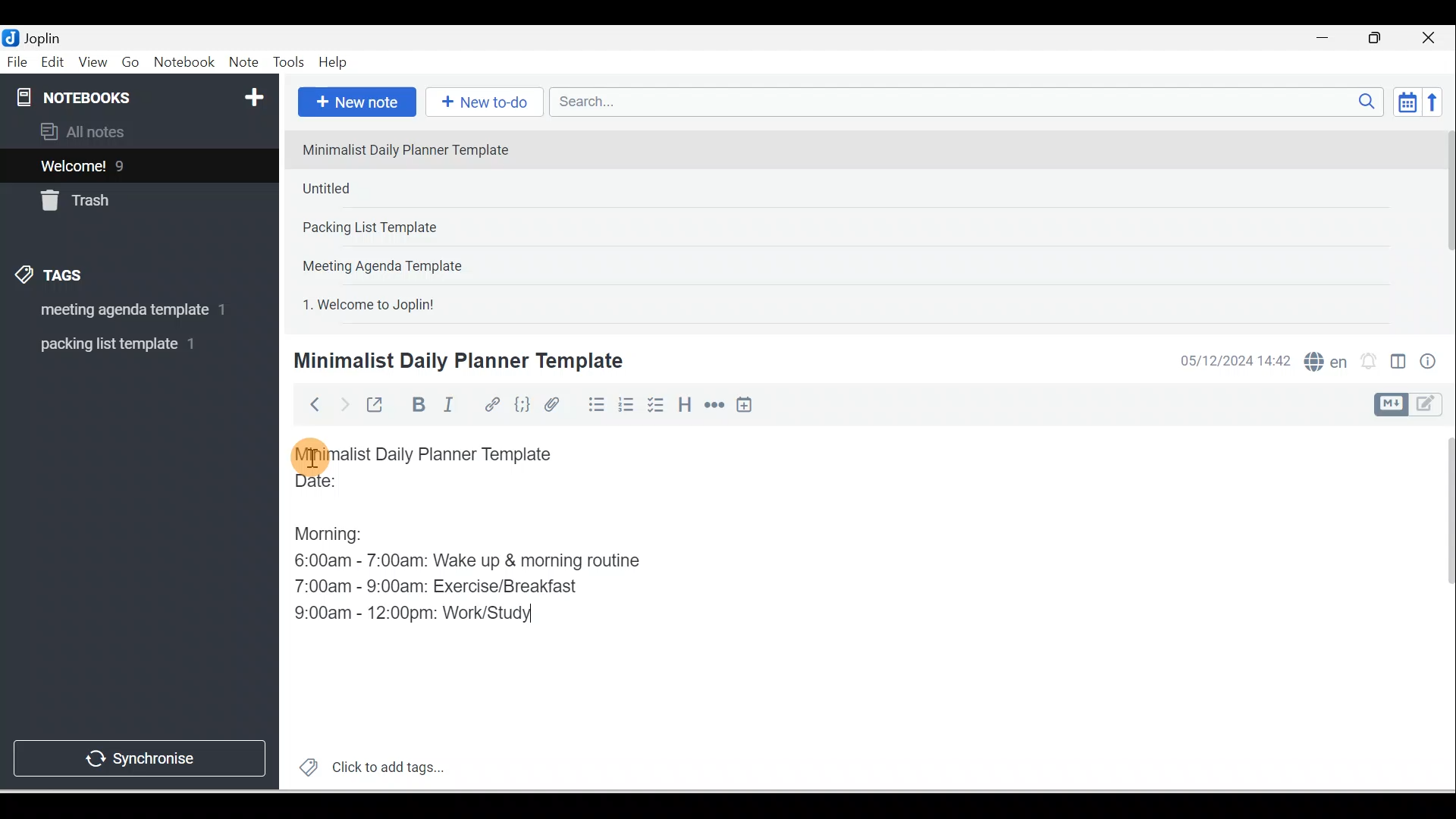  Describe the element at coordinates (1367, 362) in the screenshot. I see `Set alarm` at that location.